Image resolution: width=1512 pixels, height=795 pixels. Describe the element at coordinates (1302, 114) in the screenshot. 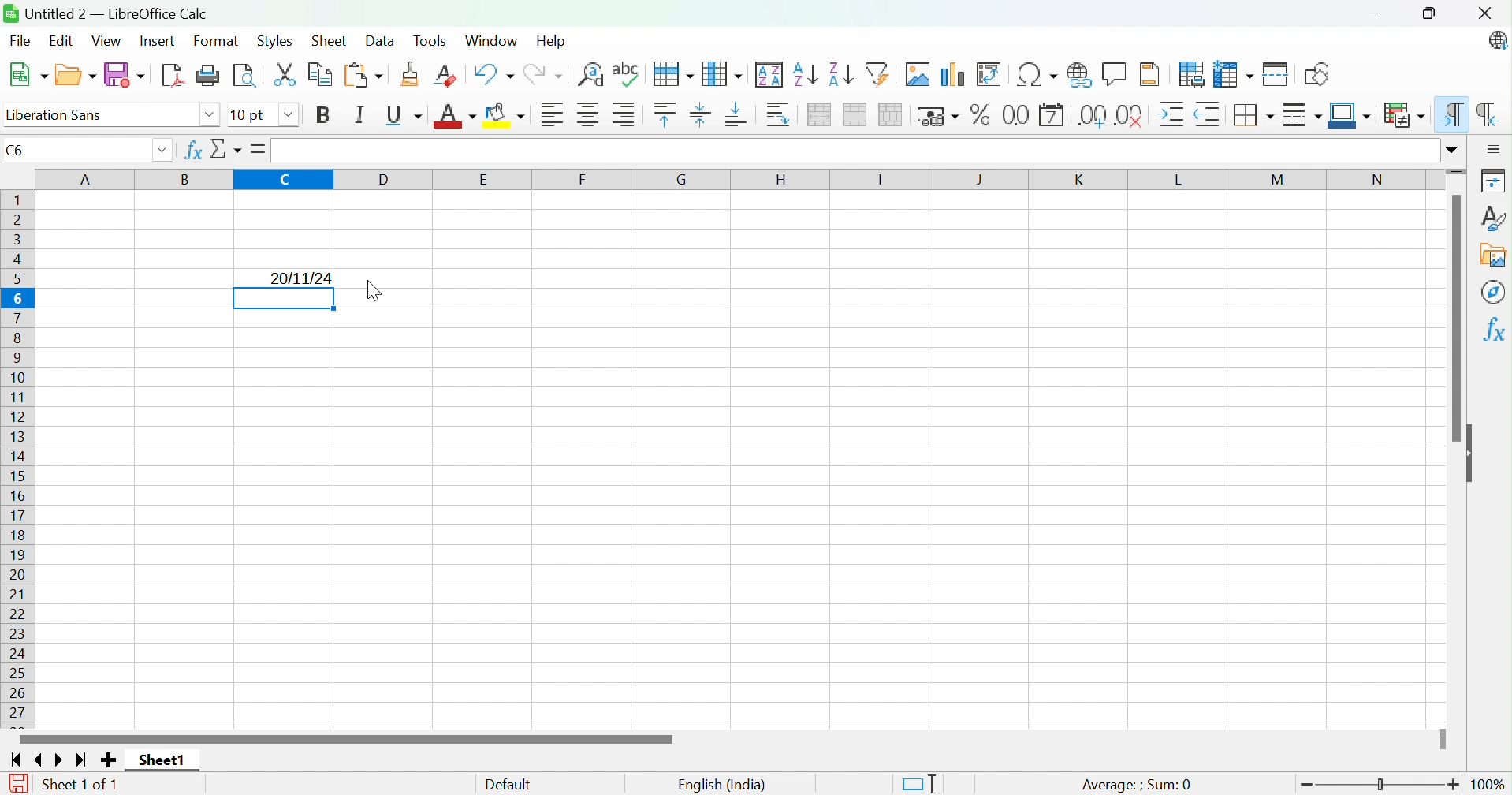

I see `Border style` at that location.